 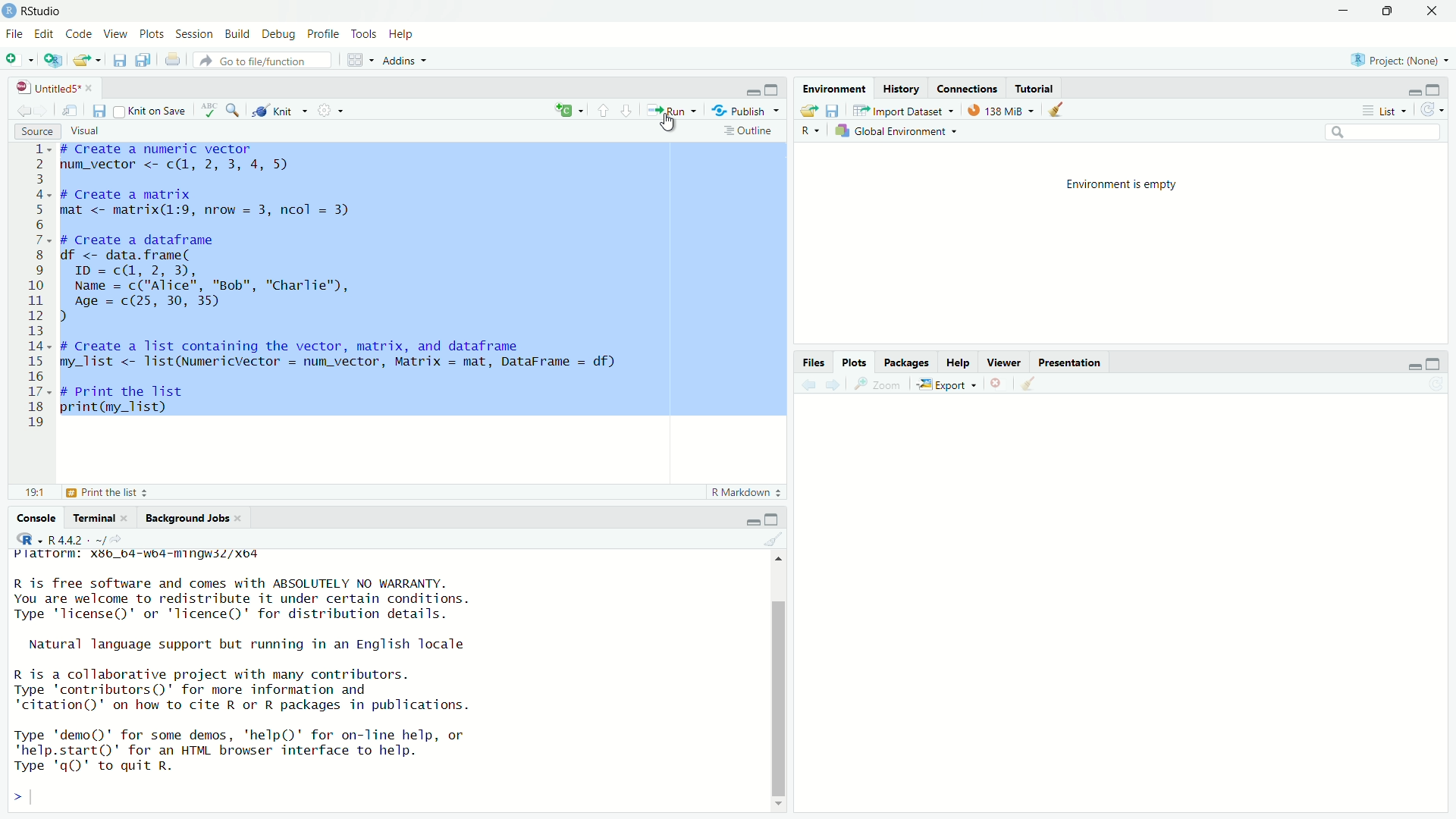 I want to click on ) | Untitled5*, so click(x=53, y=88).